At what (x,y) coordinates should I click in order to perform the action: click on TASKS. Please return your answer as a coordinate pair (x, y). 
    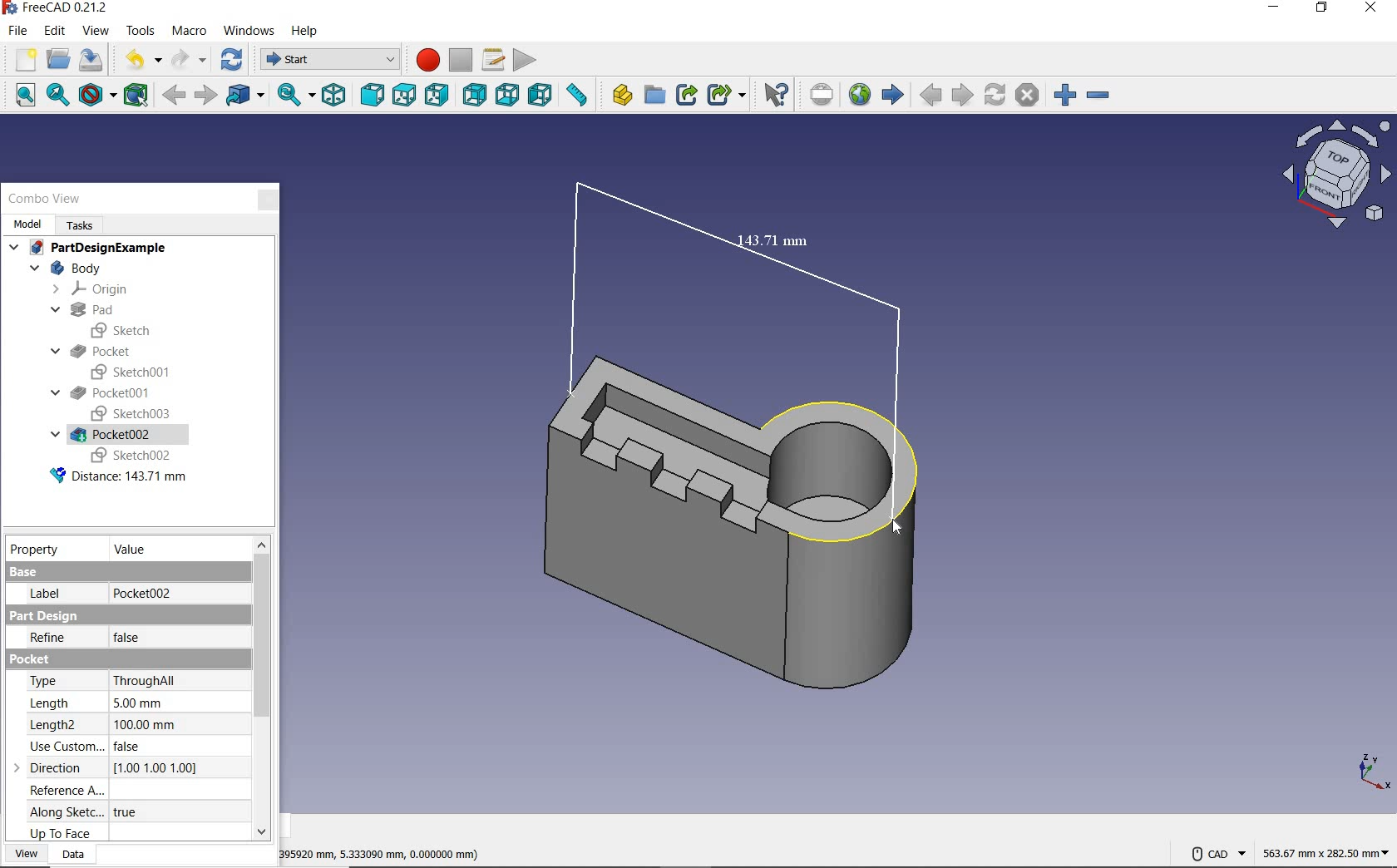
    Looking at the image, I should click on (82, 224).